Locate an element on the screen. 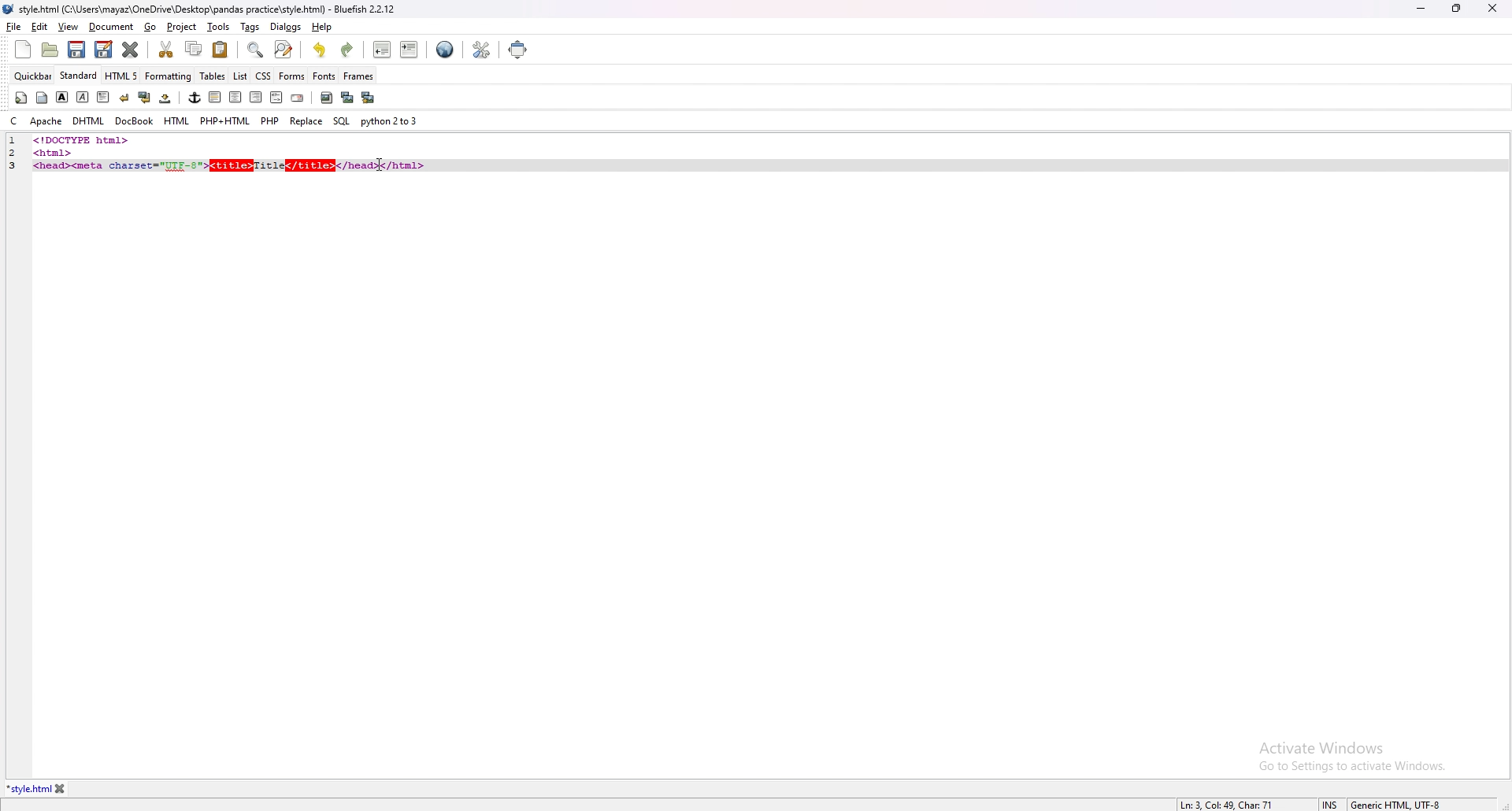 Image resolution: width=1512 pixels, height=811 pixels. close current tab is located at coordinates (132, 50).